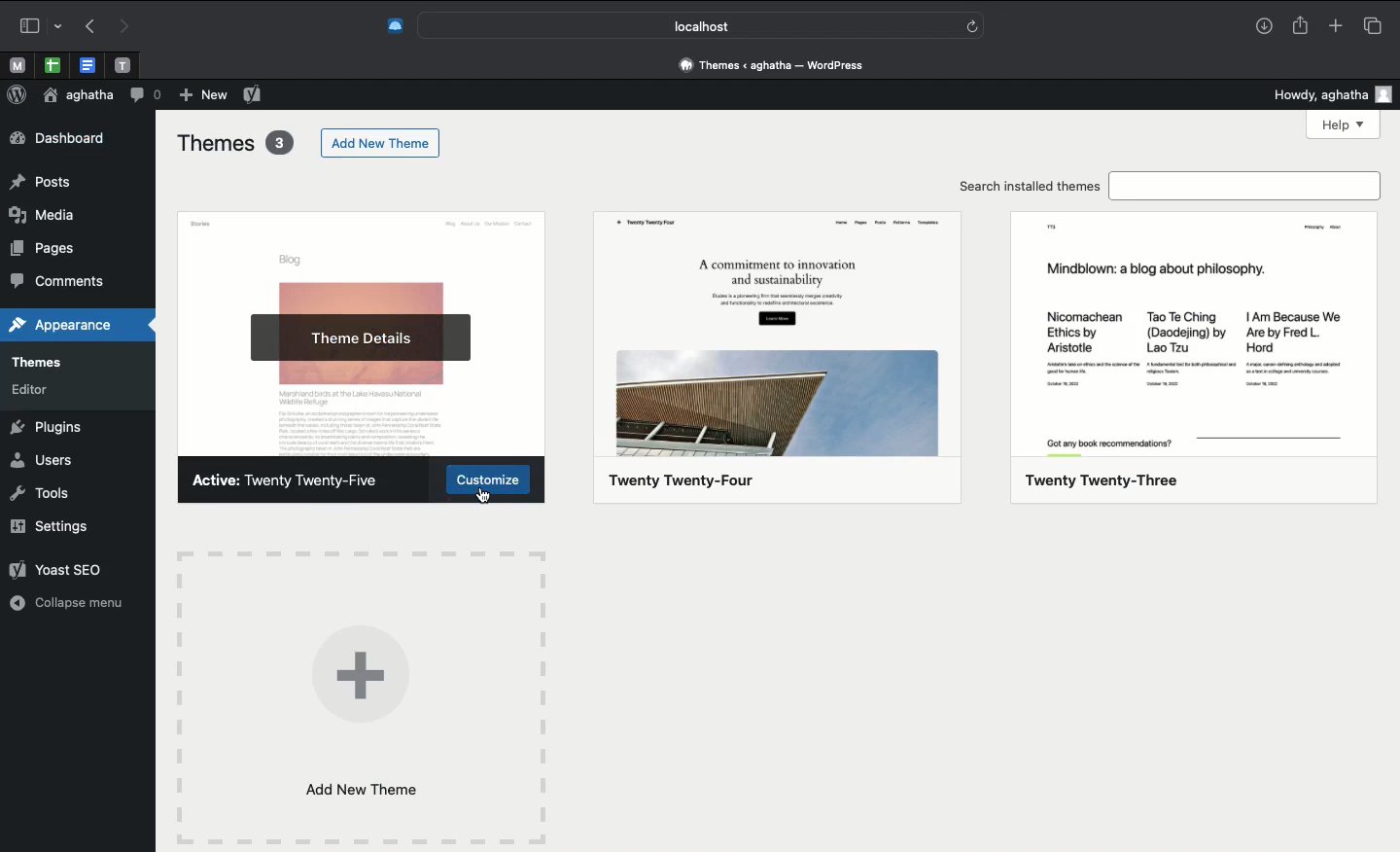 The image size is (1400, 852). Describe the element at coordinates (86, 66) in the screenshot. I see `open tab, google docs` at that location.